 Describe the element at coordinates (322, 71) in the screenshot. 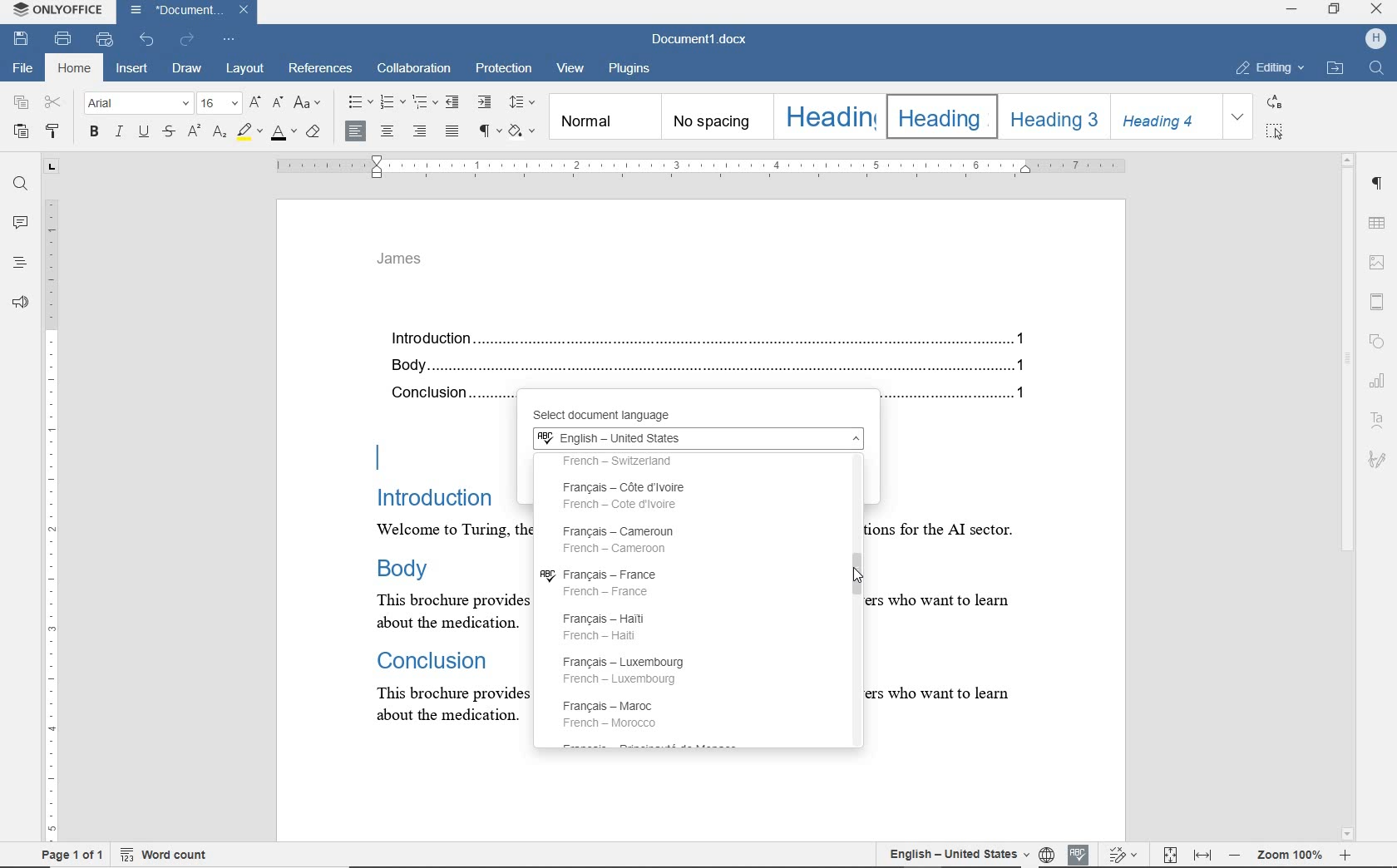

I see `references` at that location.